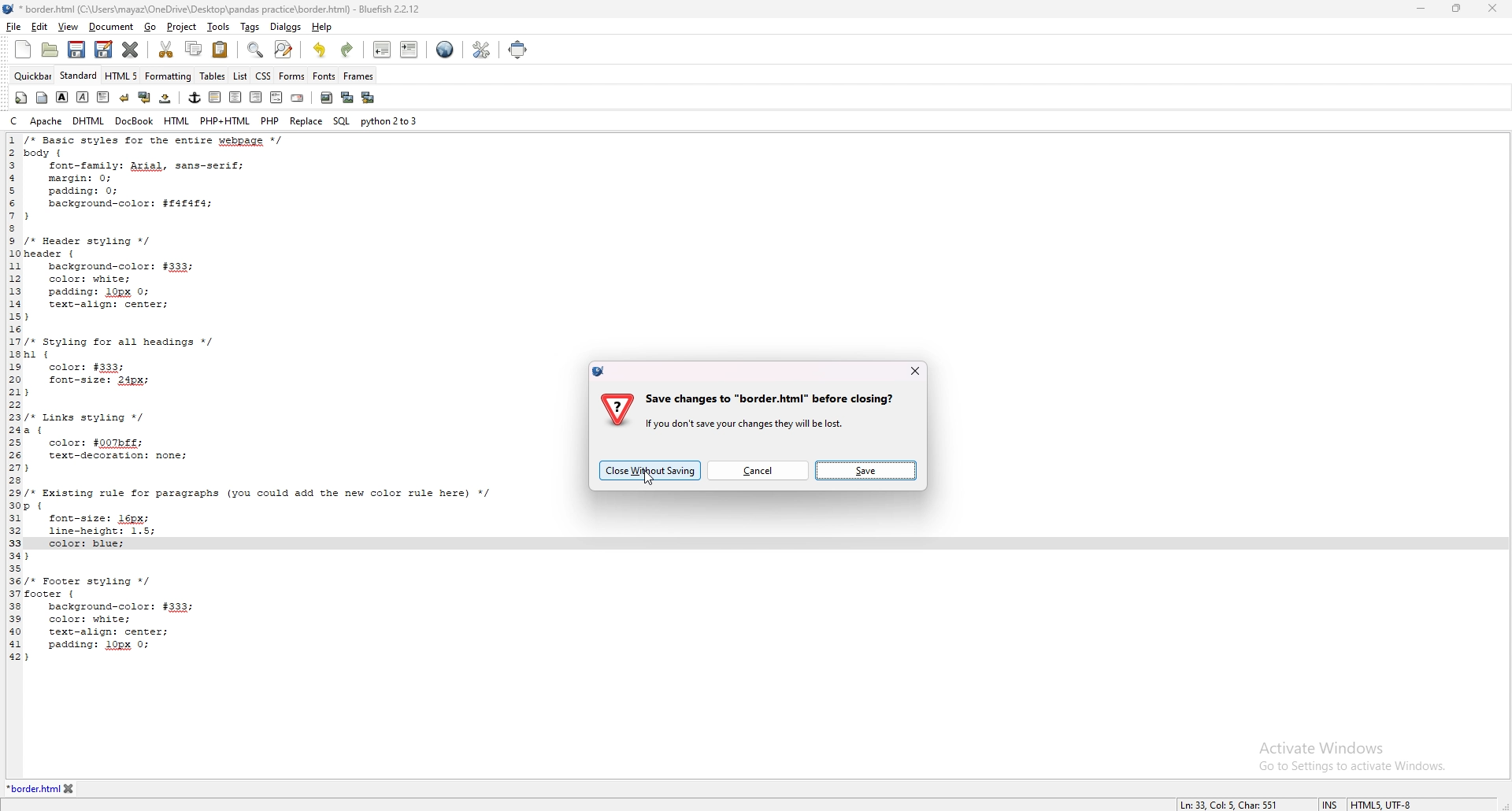  Describe the element at coordinates (218, 27) in the screenshot. I see `tools` at that location.